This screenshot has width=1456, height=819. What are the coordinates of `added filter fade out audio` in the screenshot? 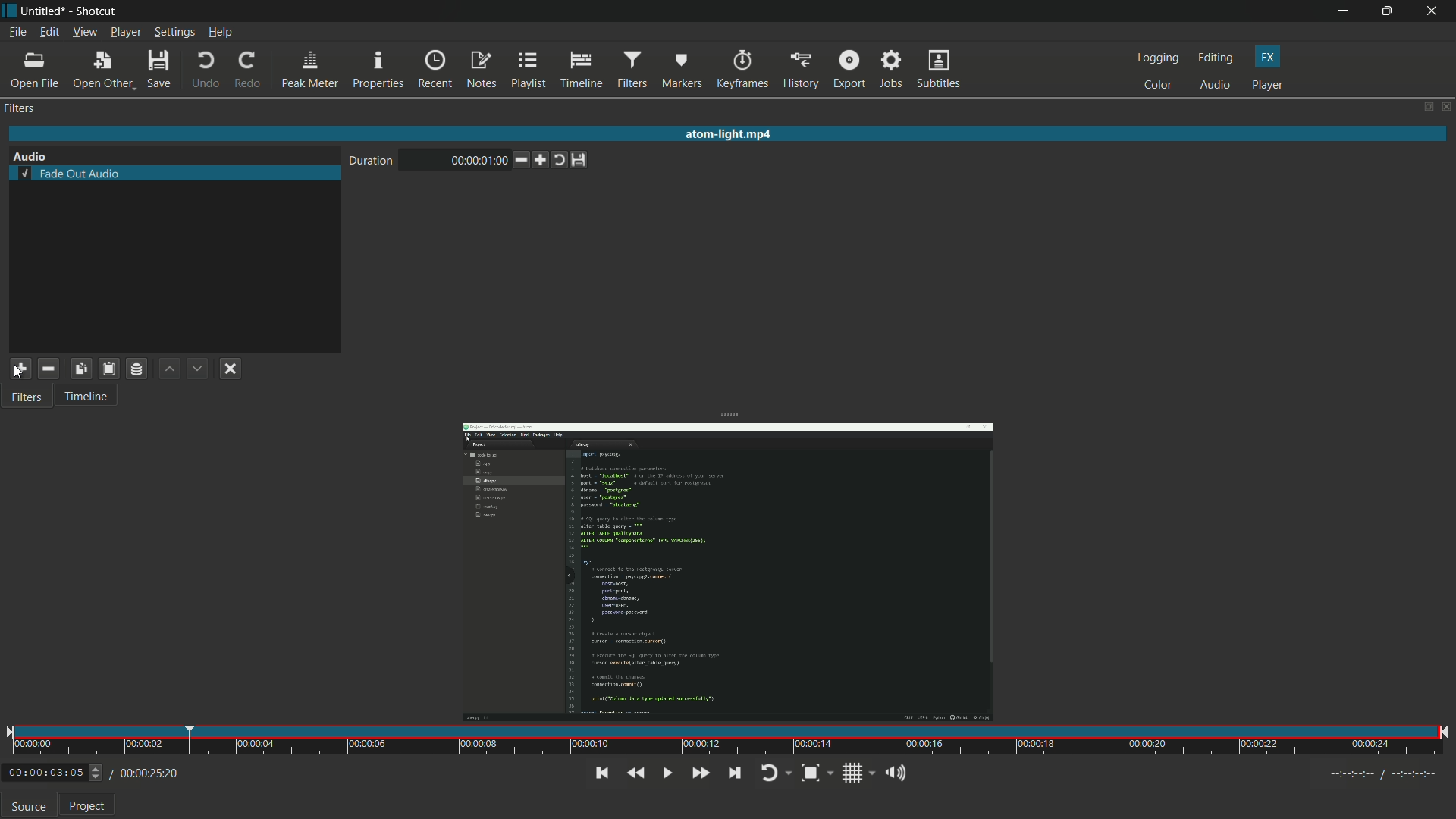 It's located at (174, 174).